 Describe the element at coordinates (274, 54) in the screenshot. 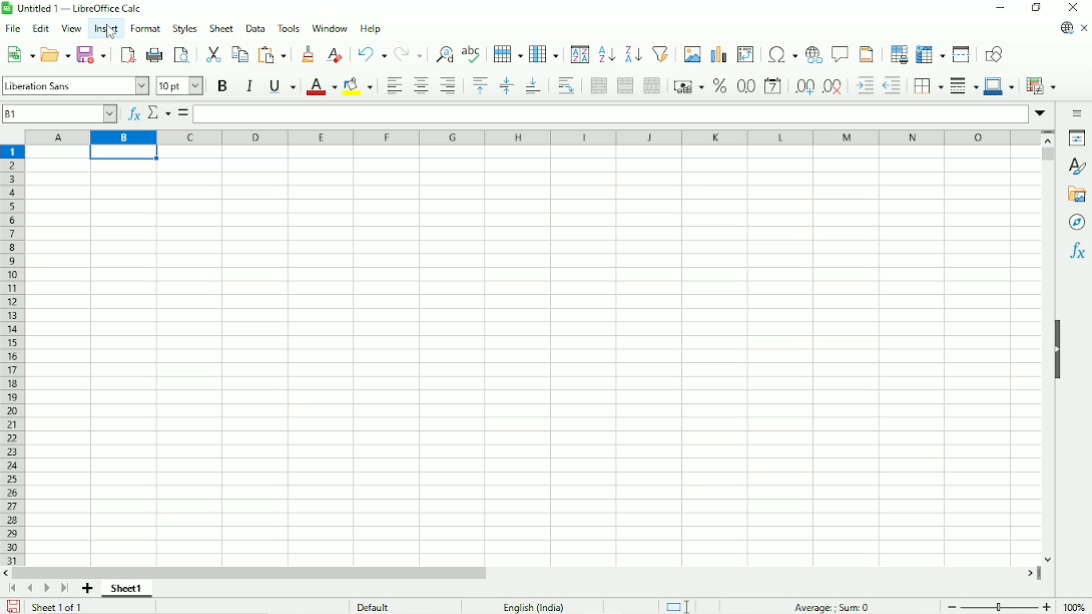

I see `Paste` at that location.